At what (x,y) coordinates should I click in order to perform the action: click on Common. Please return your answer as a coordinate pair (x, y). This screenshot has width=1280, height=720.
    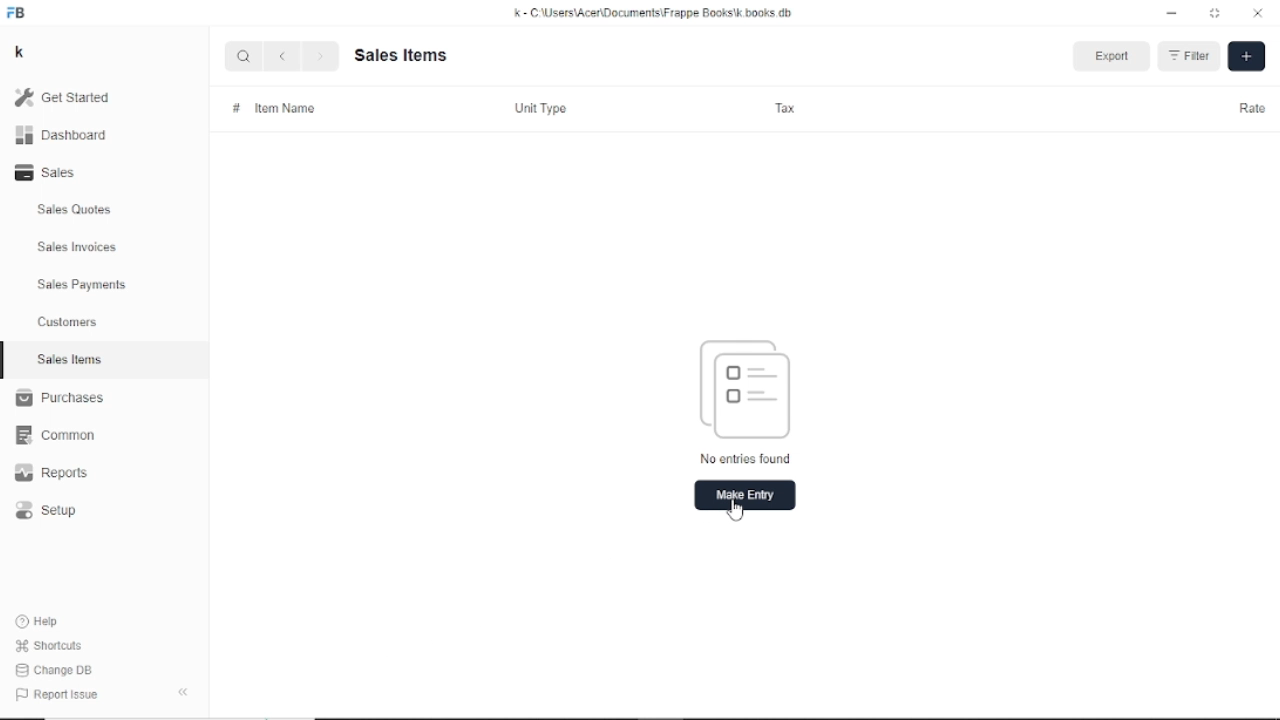
    Looking at the image, I should click on (55, 436).